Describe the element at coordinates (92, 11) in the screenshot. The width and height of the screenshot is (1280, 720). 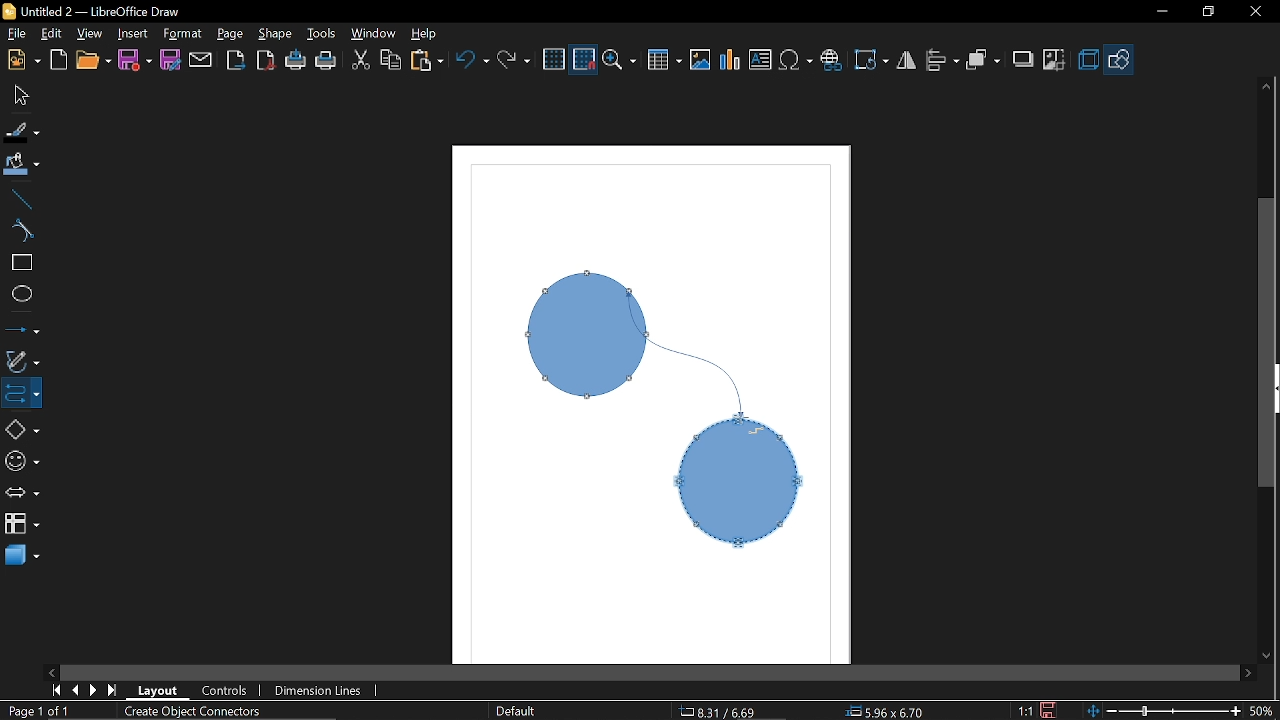
I see `Current window` at that location.